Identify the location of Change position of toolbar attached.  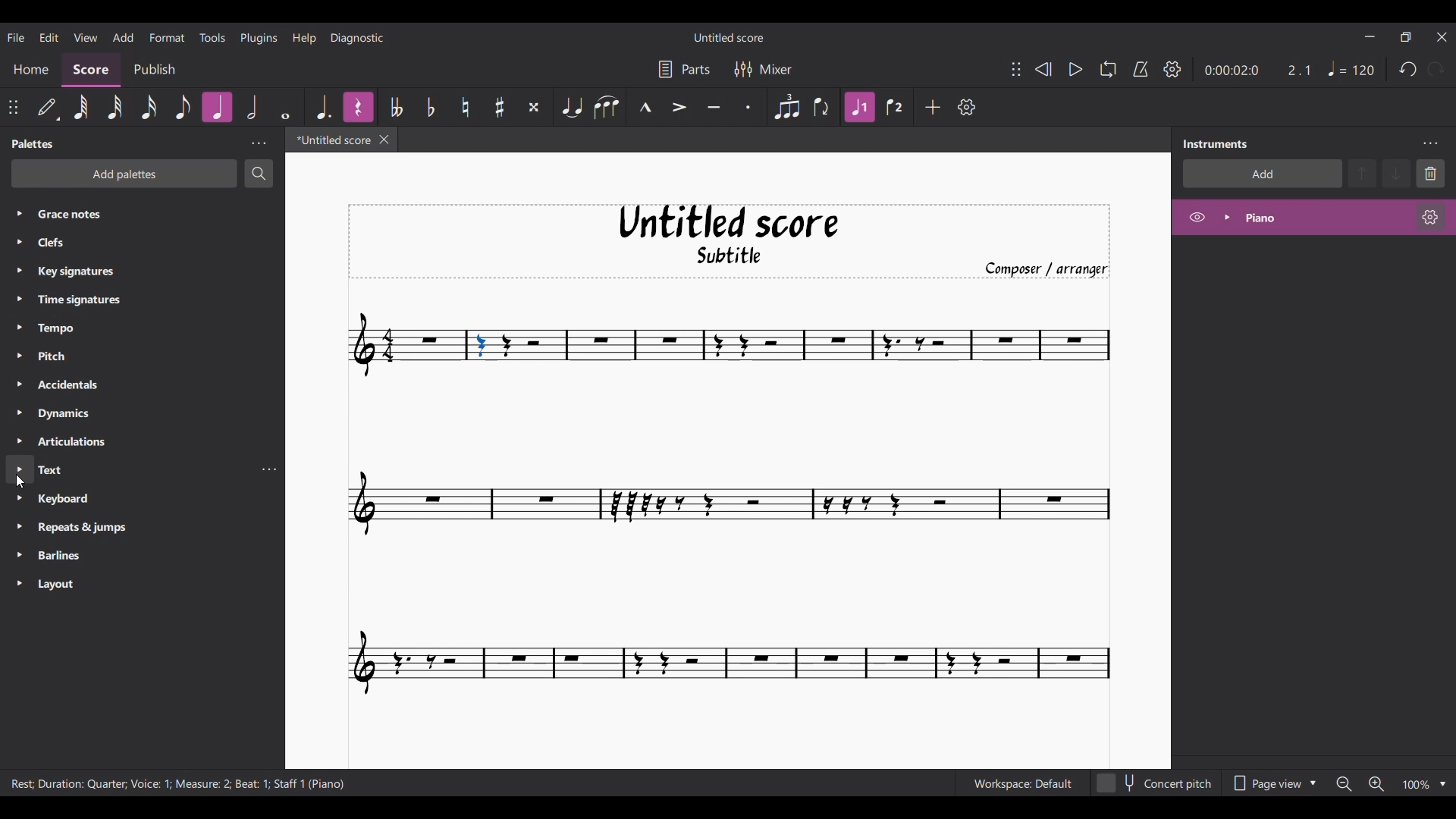
(1016, 69).